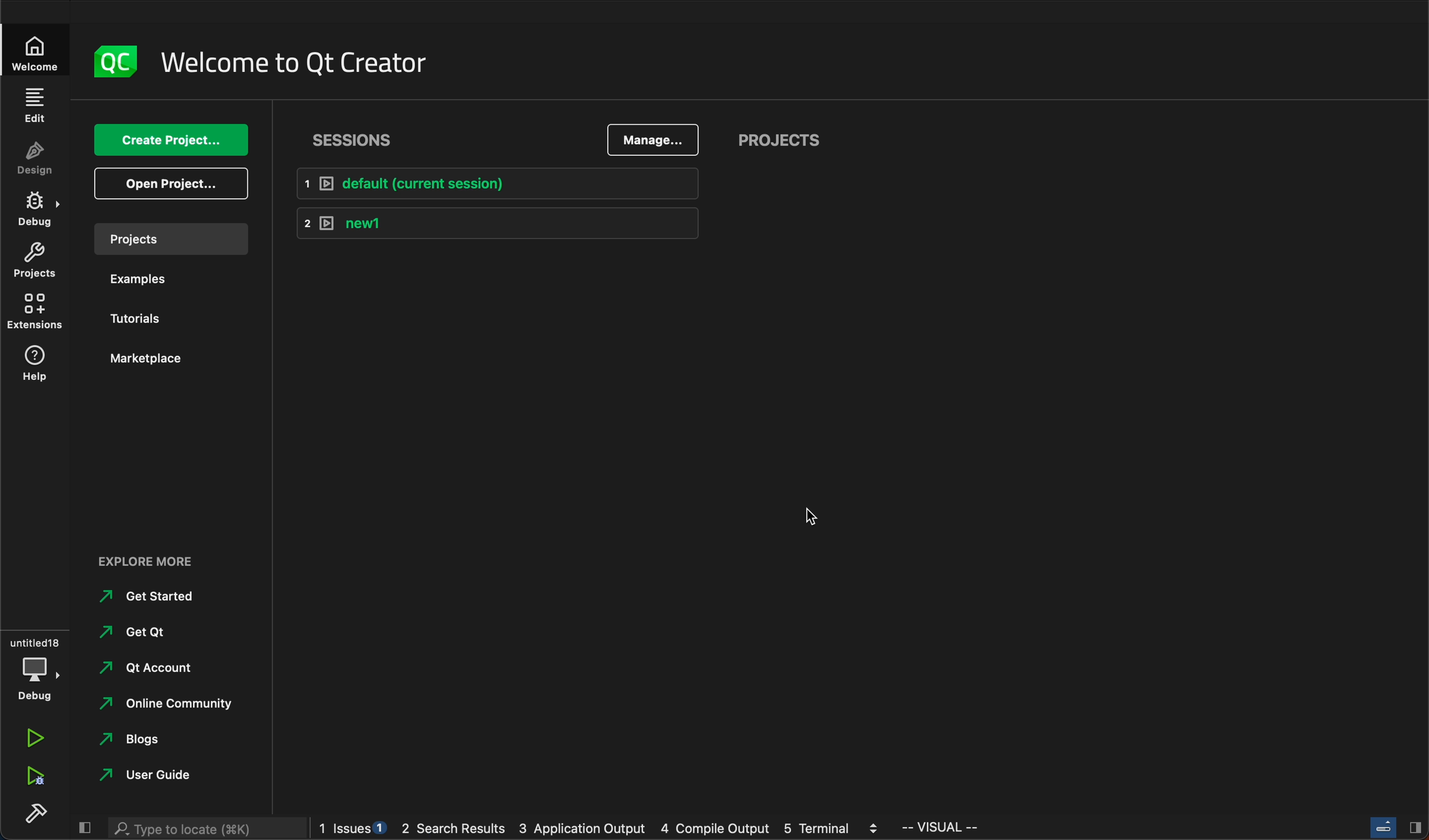 Image resolution: width=1429 pixels, height=840 pixels. What do you see at coordinates (34, 775) in the screenshot?
I see `run debug` at bounding box center [34, 775].